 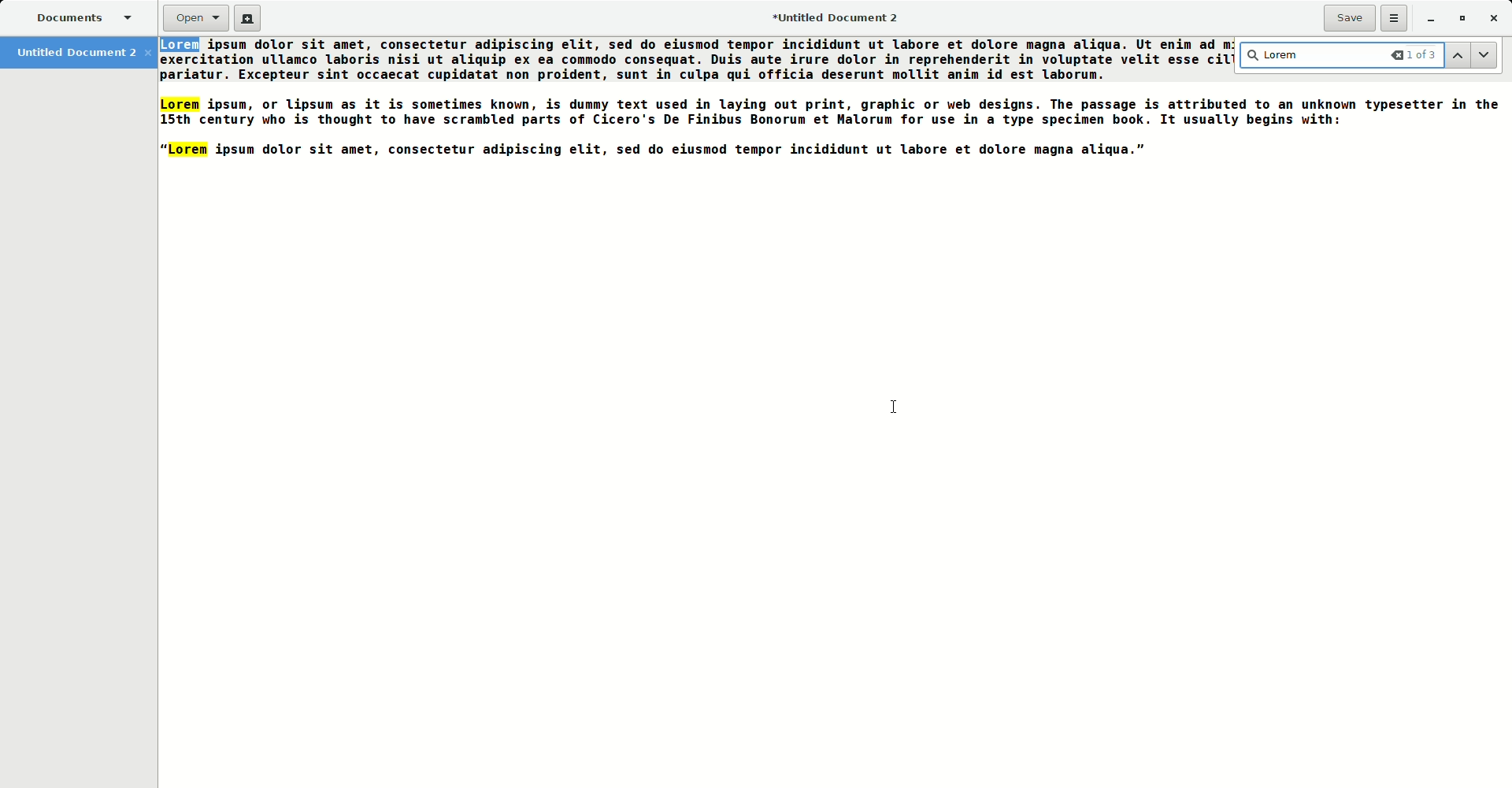 I want to click on Lorem, so click(x=1276, y=53).